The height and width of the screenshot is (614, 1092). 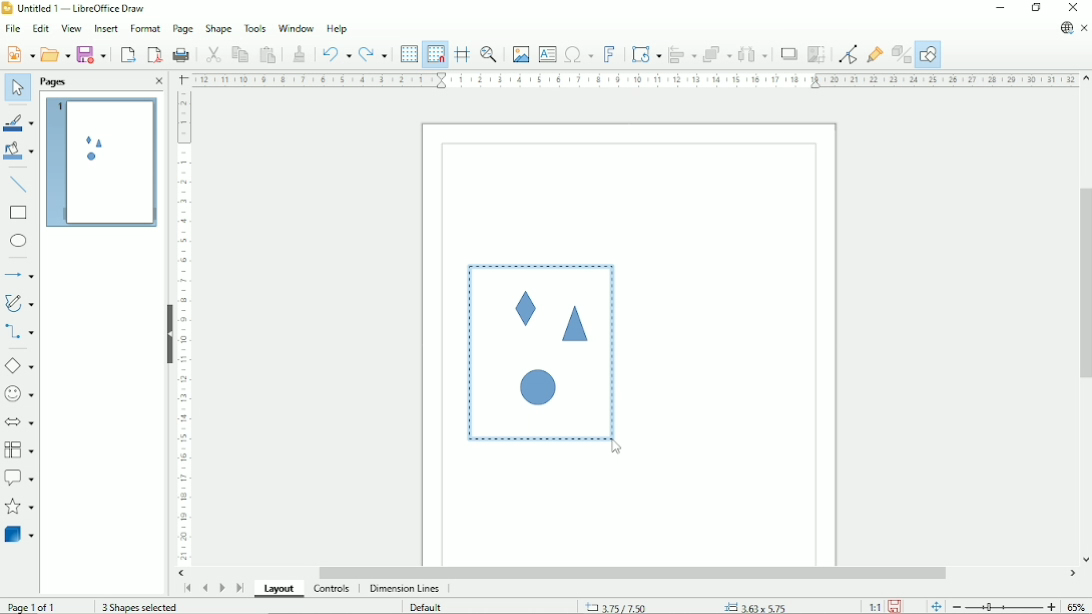 What do you see at coordinates (18, 120) in the screenshot?
I see `Line color` at bounding box center [18, 120].